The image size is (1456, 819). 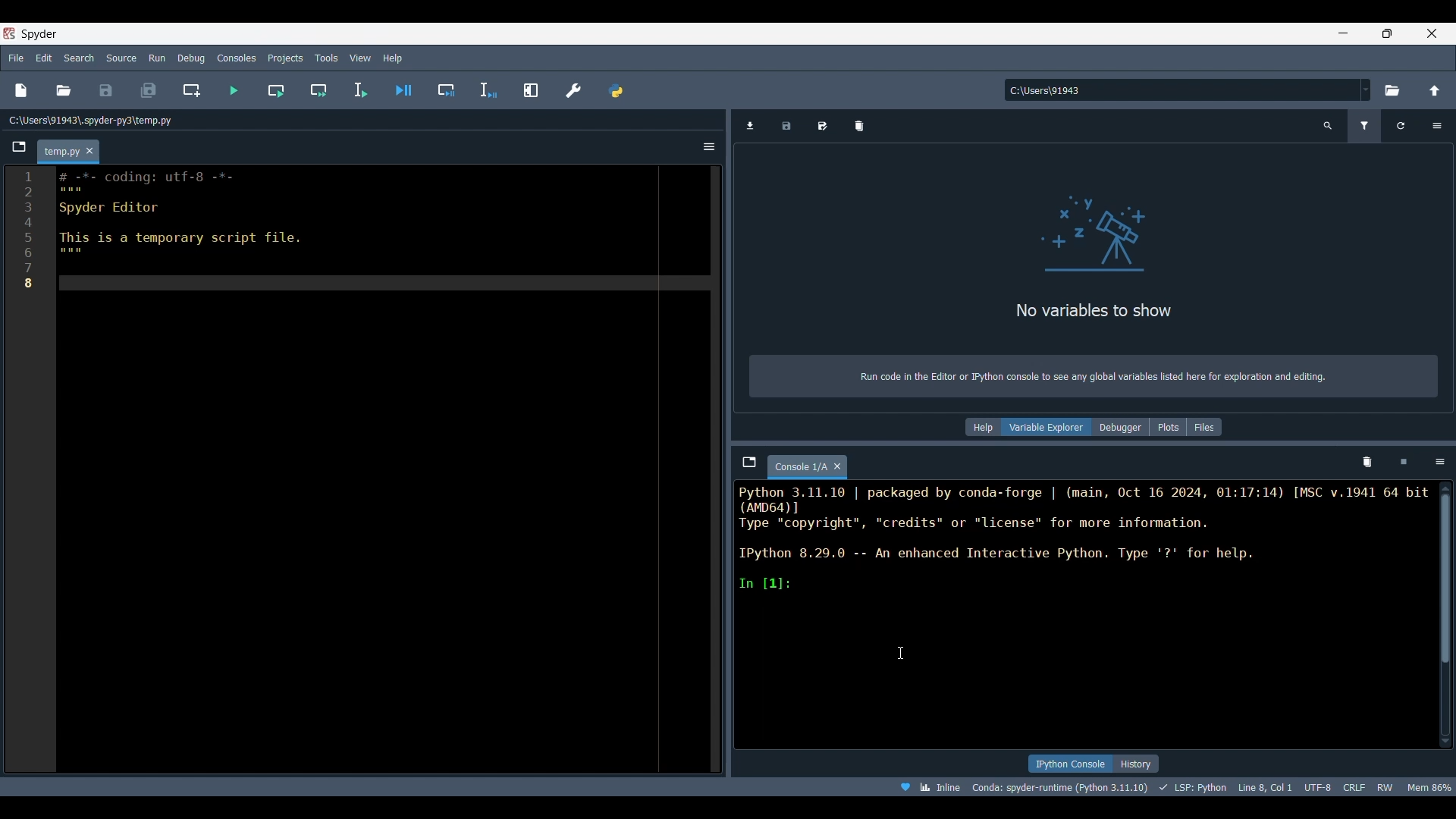 I want to click on Create new cell at the current line, so click(x=192, y=90).